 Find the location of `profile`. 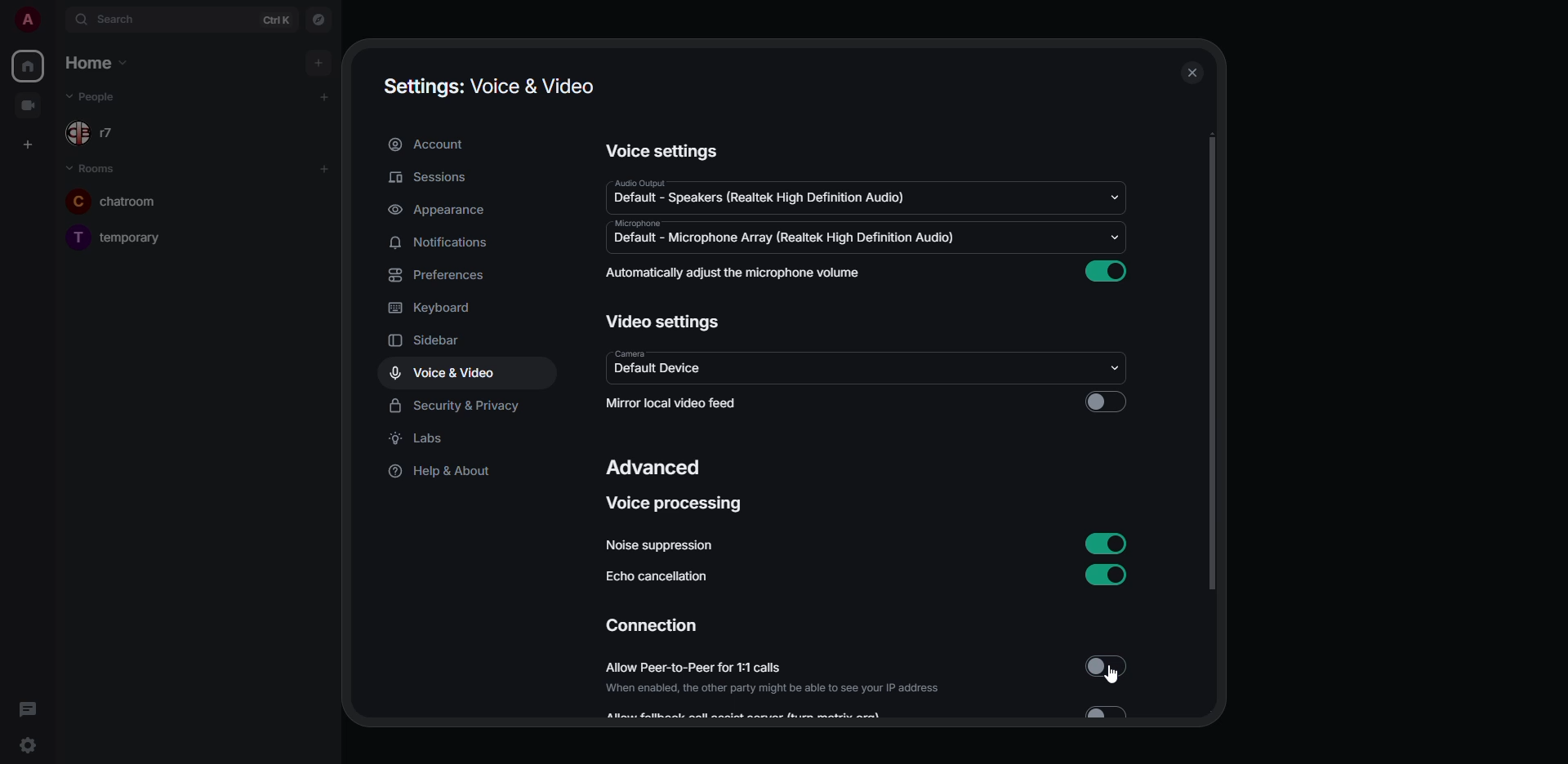

profile is located at coordinates (28, 19).